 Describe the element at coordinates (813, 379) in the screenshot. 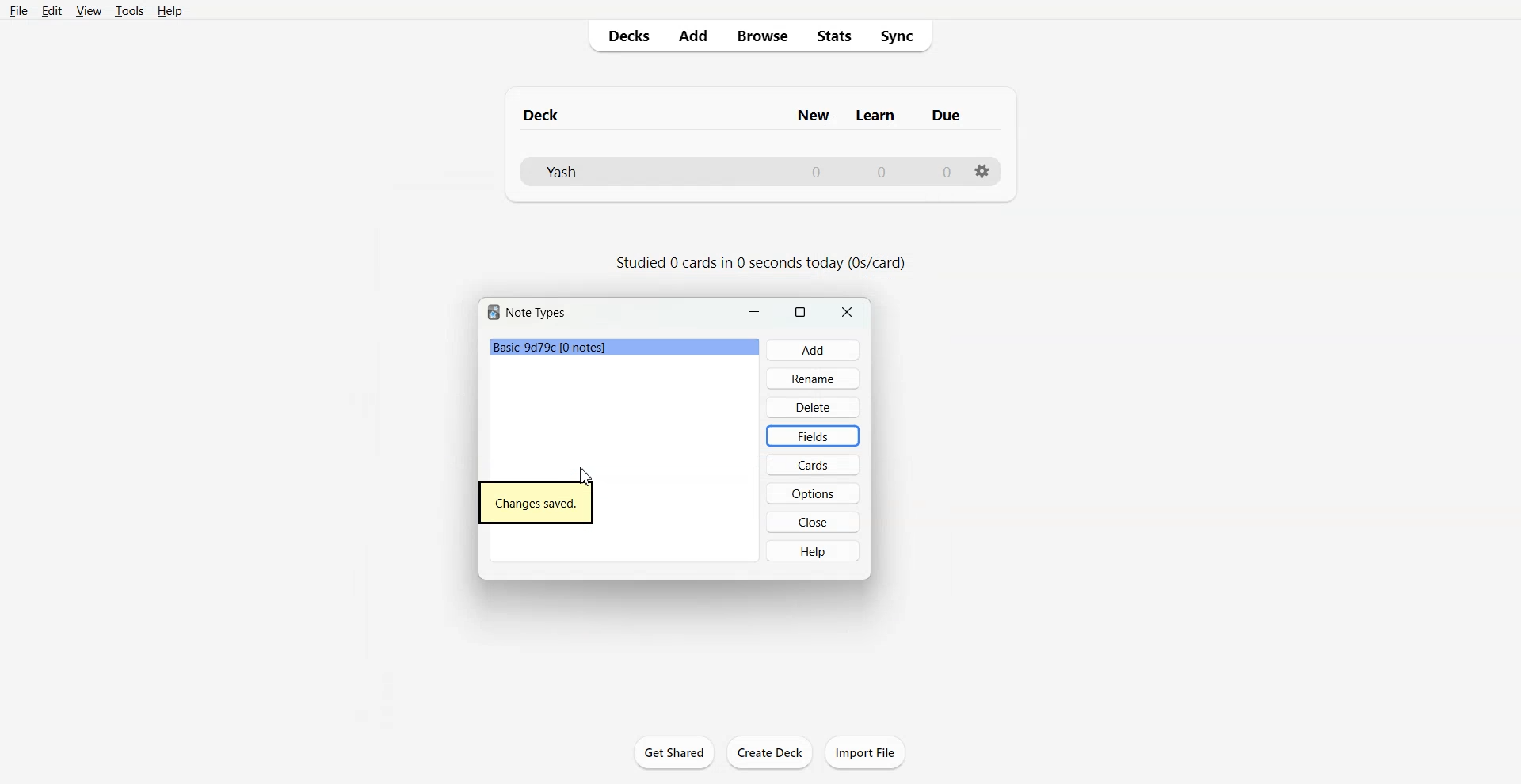

I see `Rename` at that location.